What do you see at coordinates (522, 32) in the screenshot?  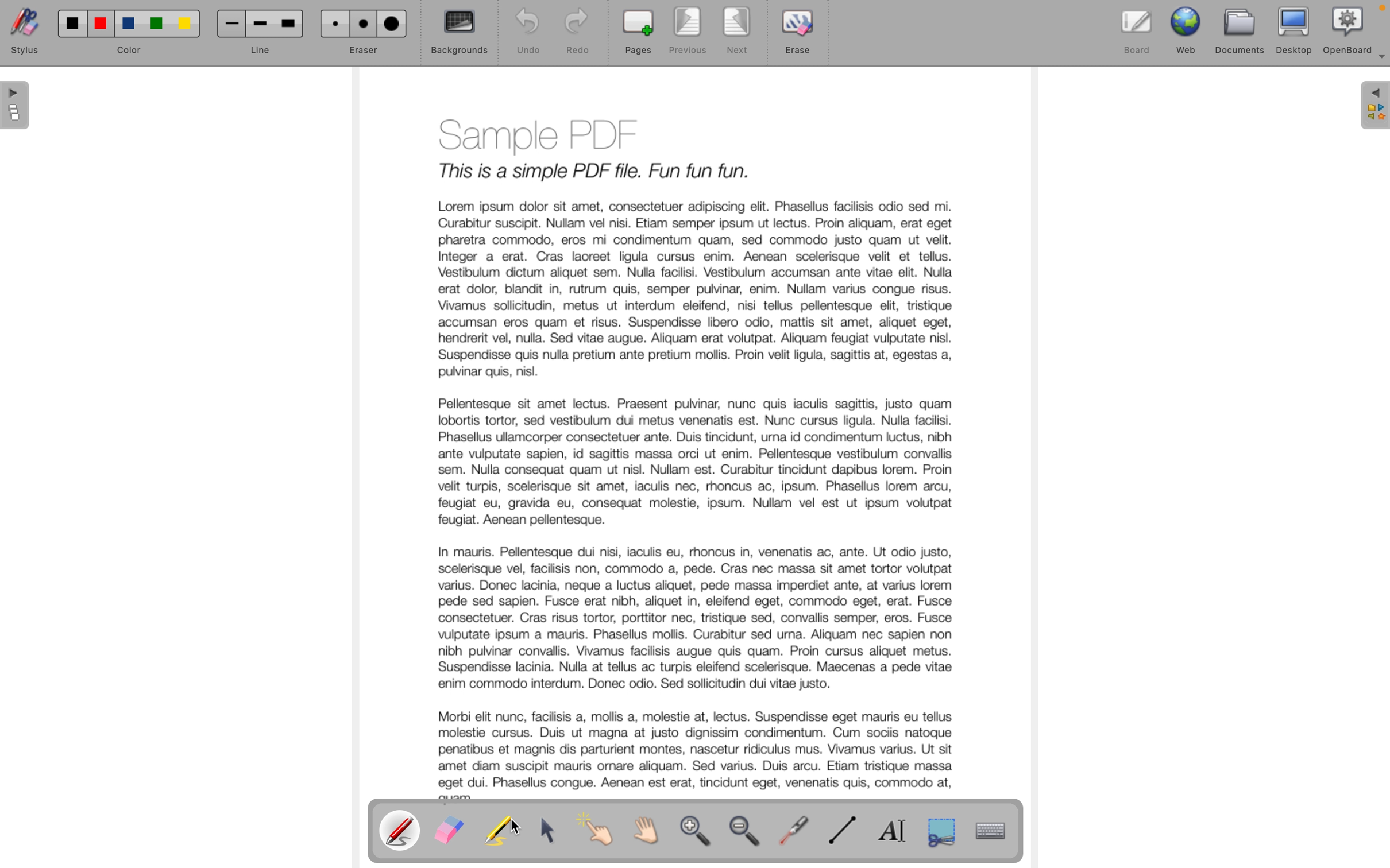 I see `undo` at bounding box center [522, 32].